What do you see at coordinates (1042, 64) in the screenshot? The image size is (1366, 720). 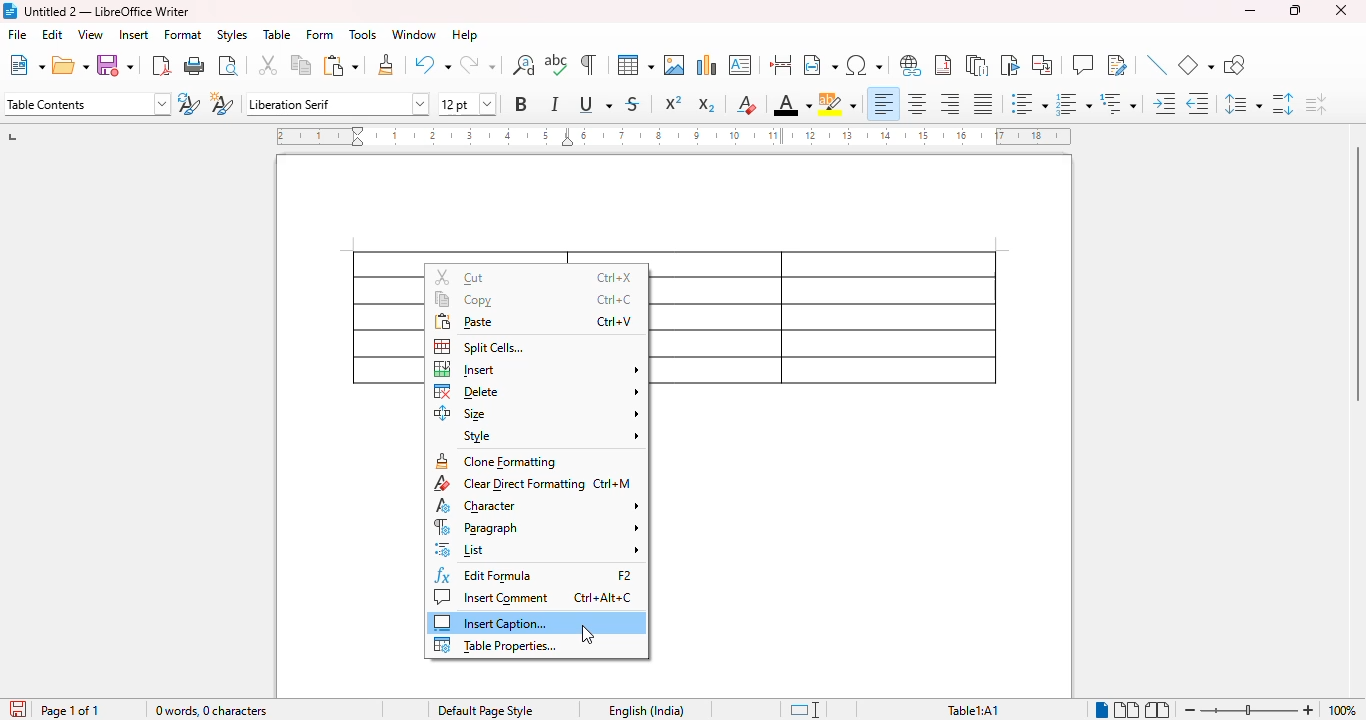 I see `insert cross-reference` at bounding box center [1042, 64].